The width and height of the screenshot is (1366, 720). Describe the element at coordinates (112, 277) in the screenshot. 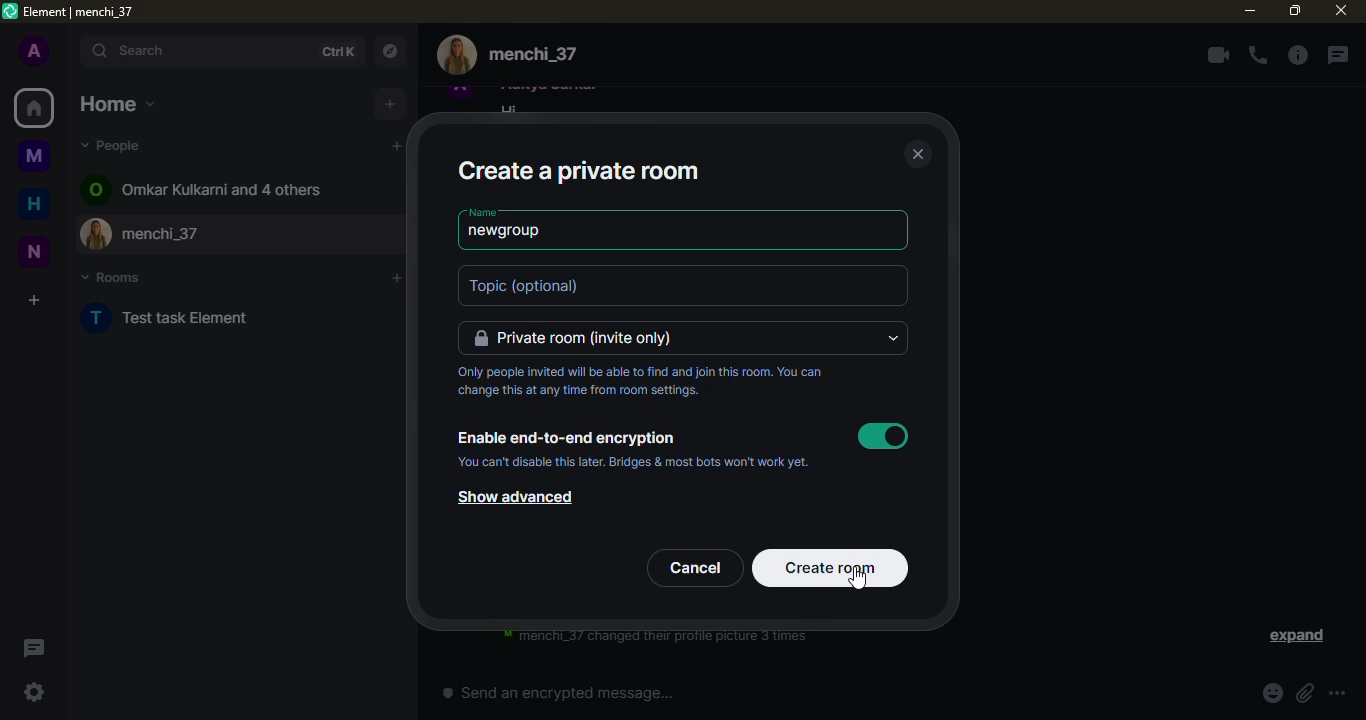

I see `rooms` at that location.